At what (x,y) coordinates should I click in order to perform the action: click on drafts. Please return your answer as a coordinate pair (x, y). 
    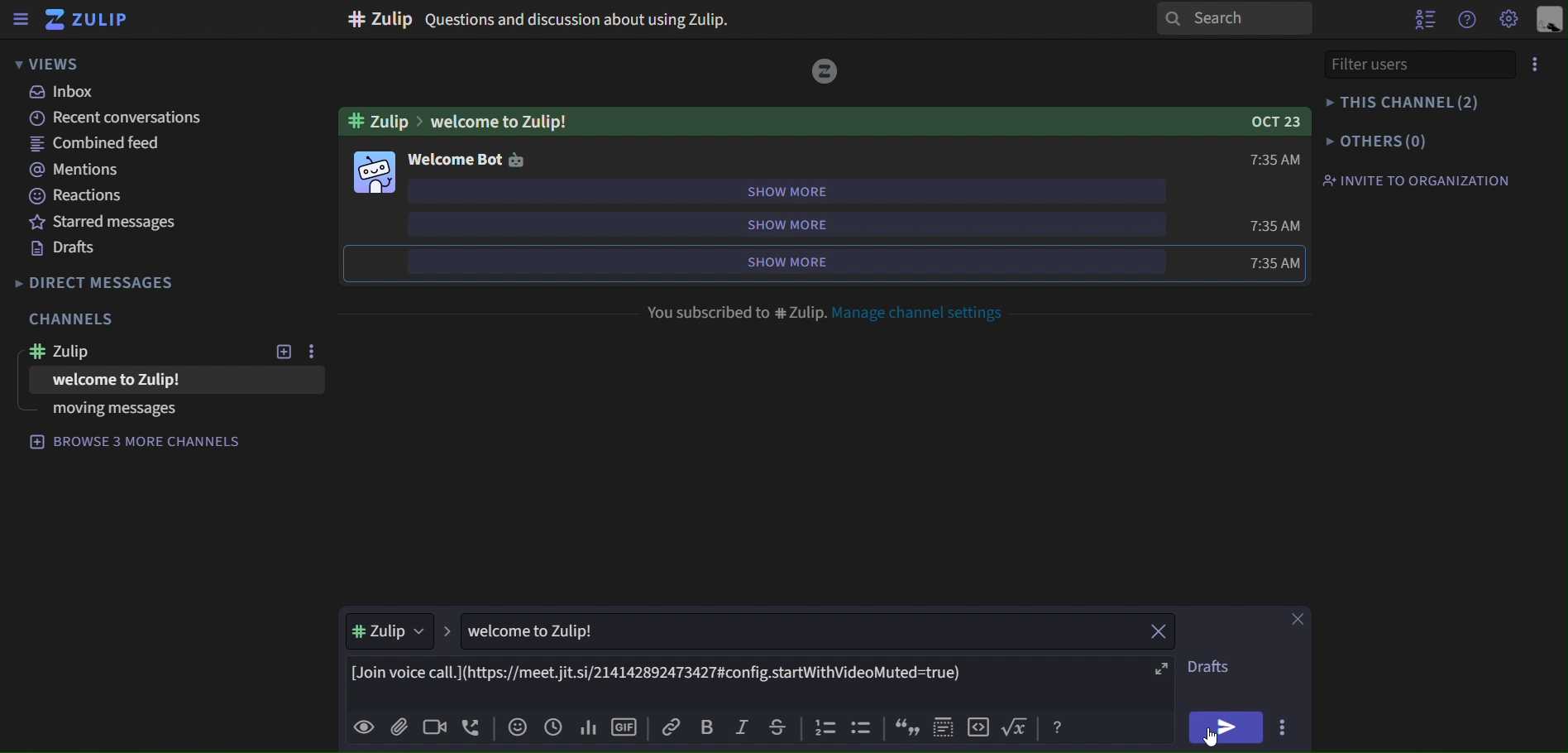
    Looking at the image, I should click on (1206, 667).